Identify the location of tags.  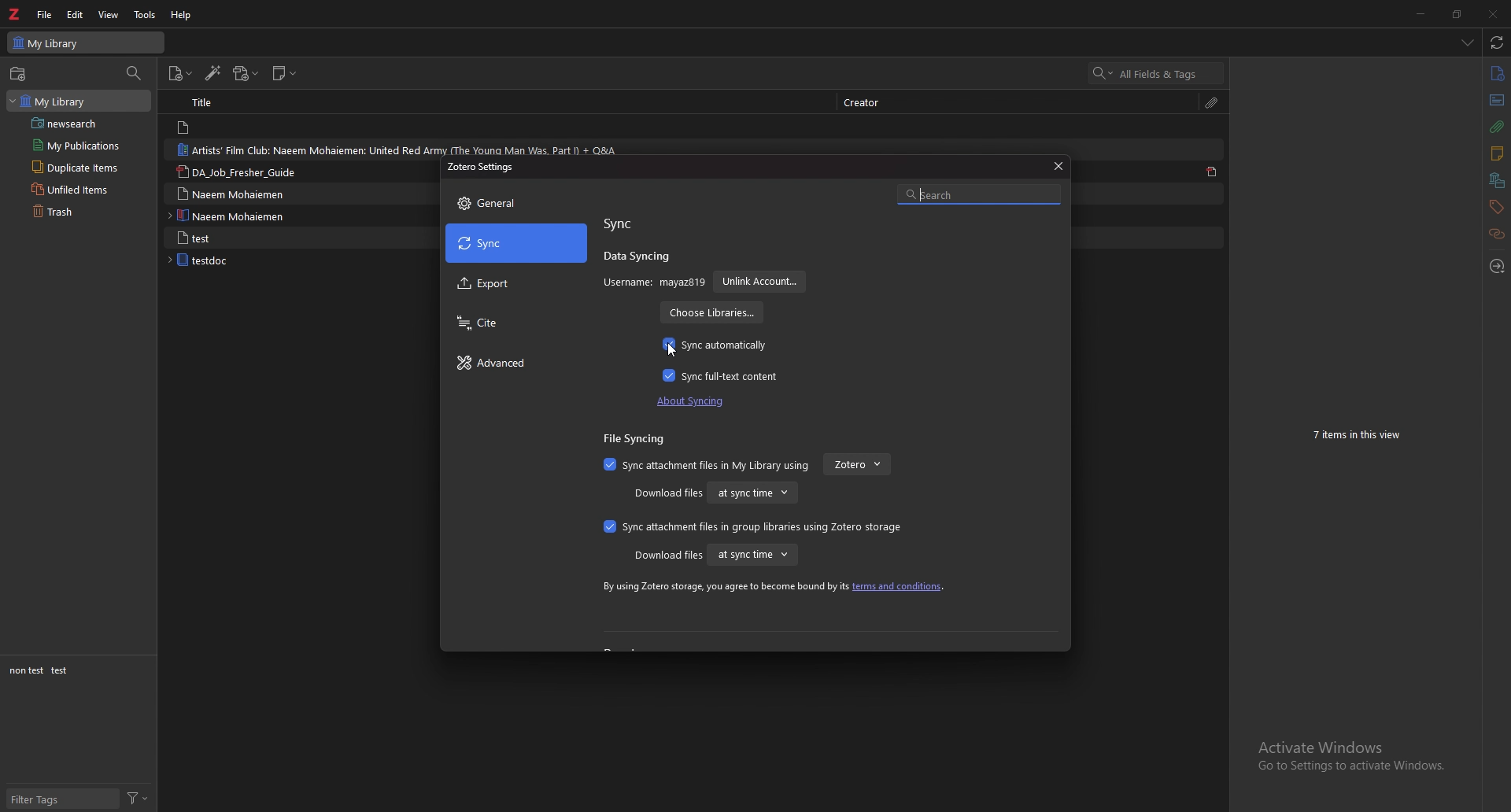
(1494, 207).